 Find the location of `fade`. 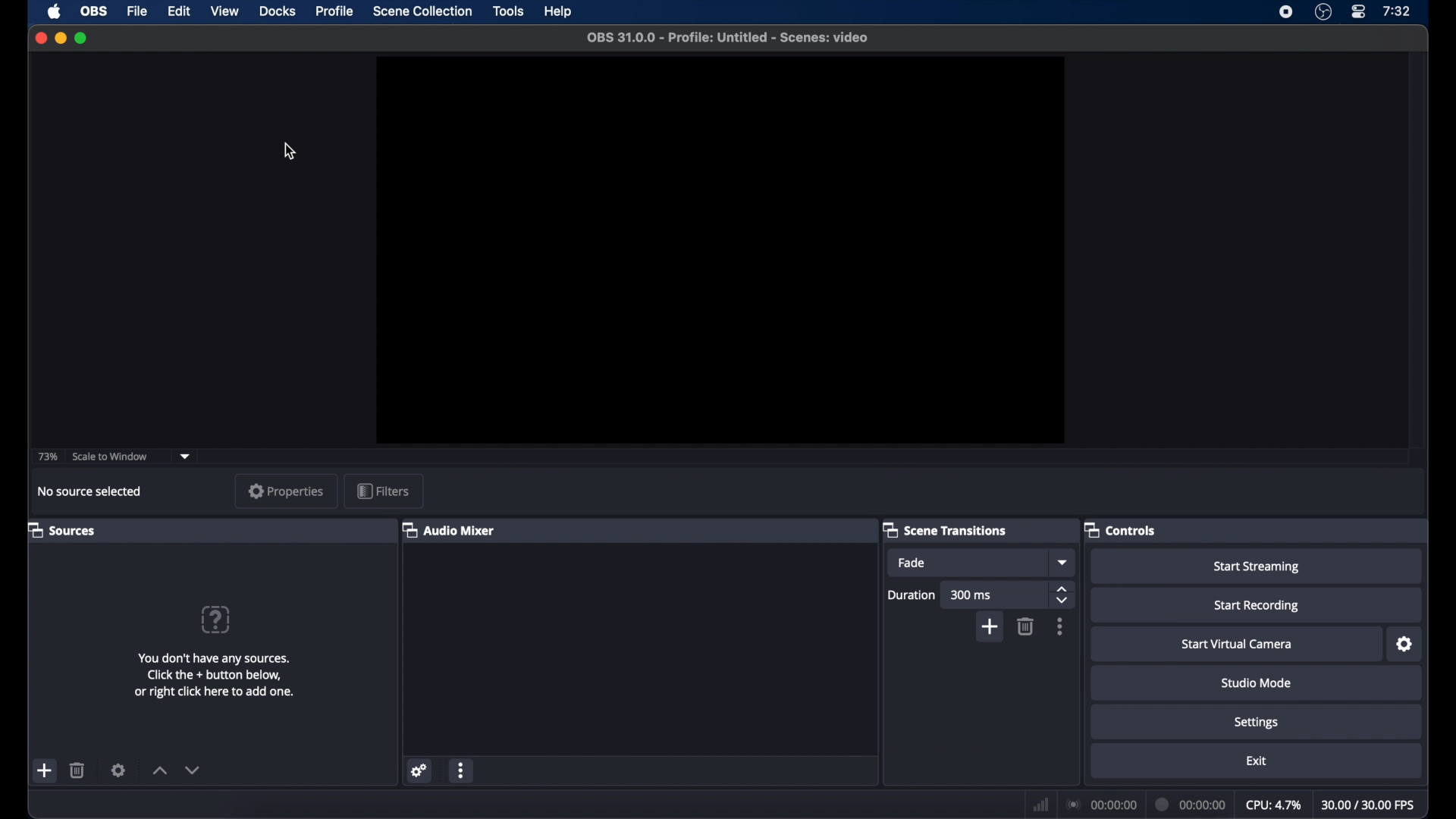

fade is located at coordinates (911, 563).